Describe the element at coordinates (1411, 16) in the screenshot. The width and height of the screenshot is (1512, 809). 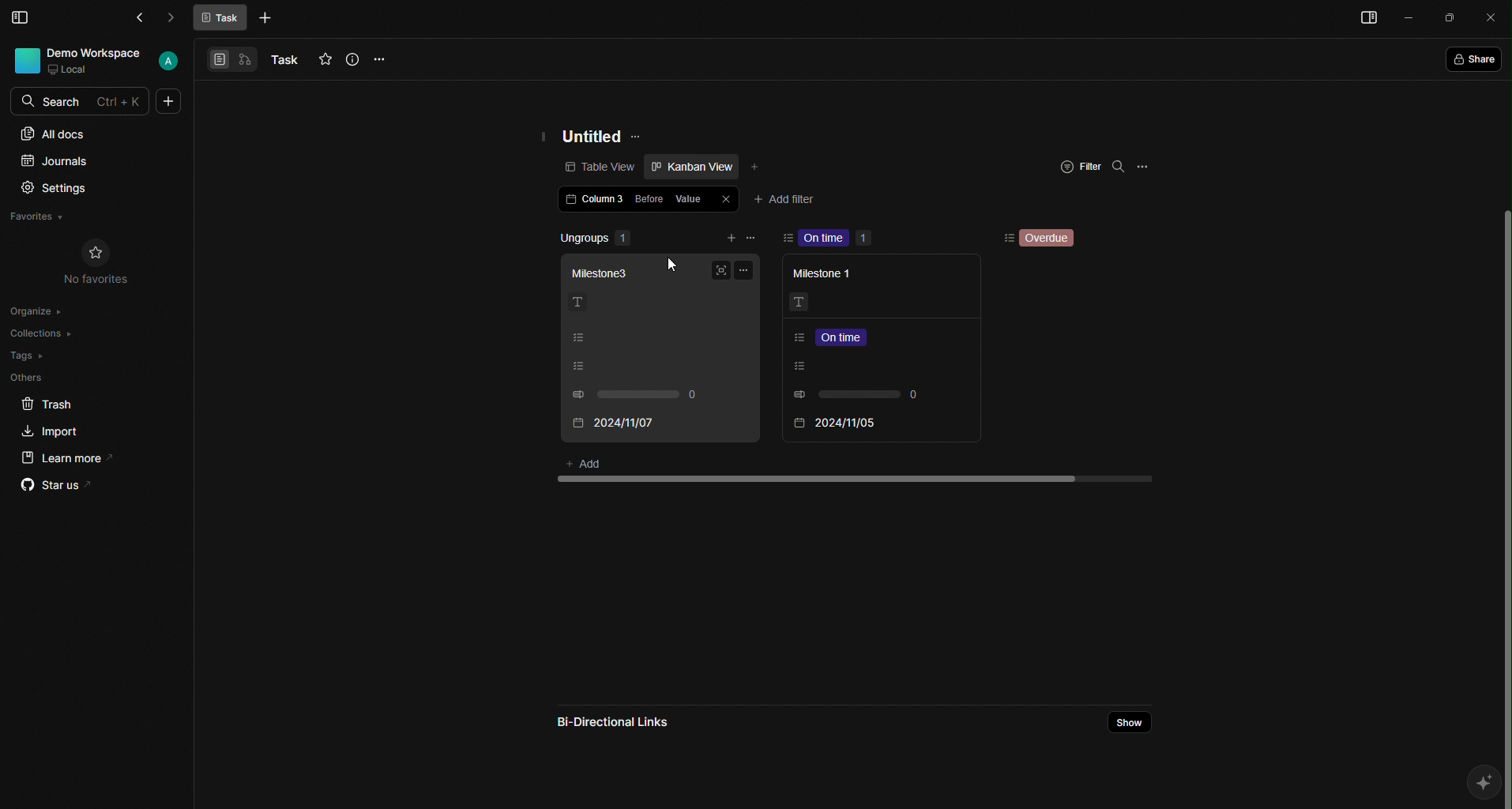
I see `Minimize` at that location.